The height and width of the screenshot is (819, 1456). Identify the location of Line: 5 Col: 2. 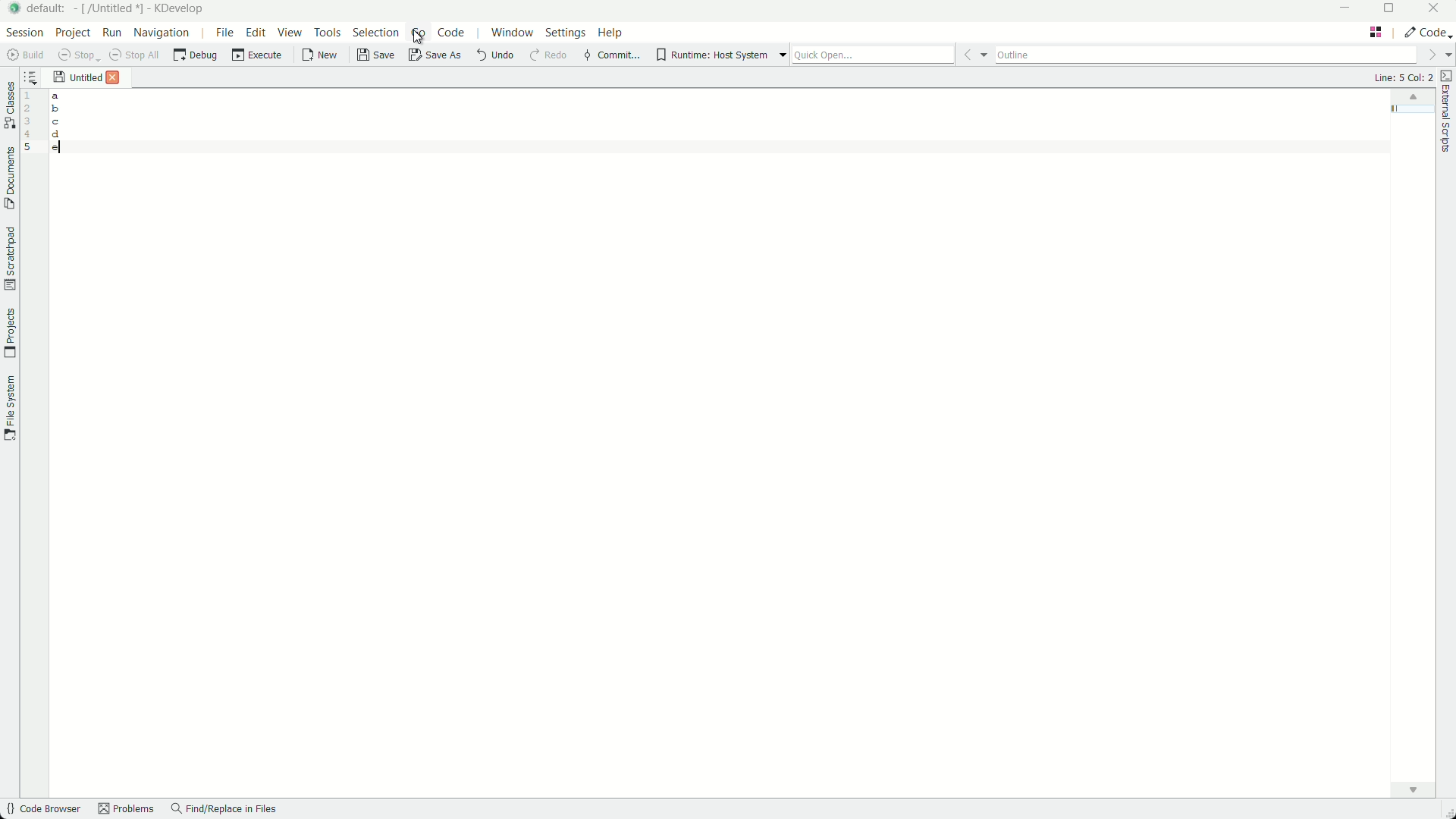
(1400, 77).